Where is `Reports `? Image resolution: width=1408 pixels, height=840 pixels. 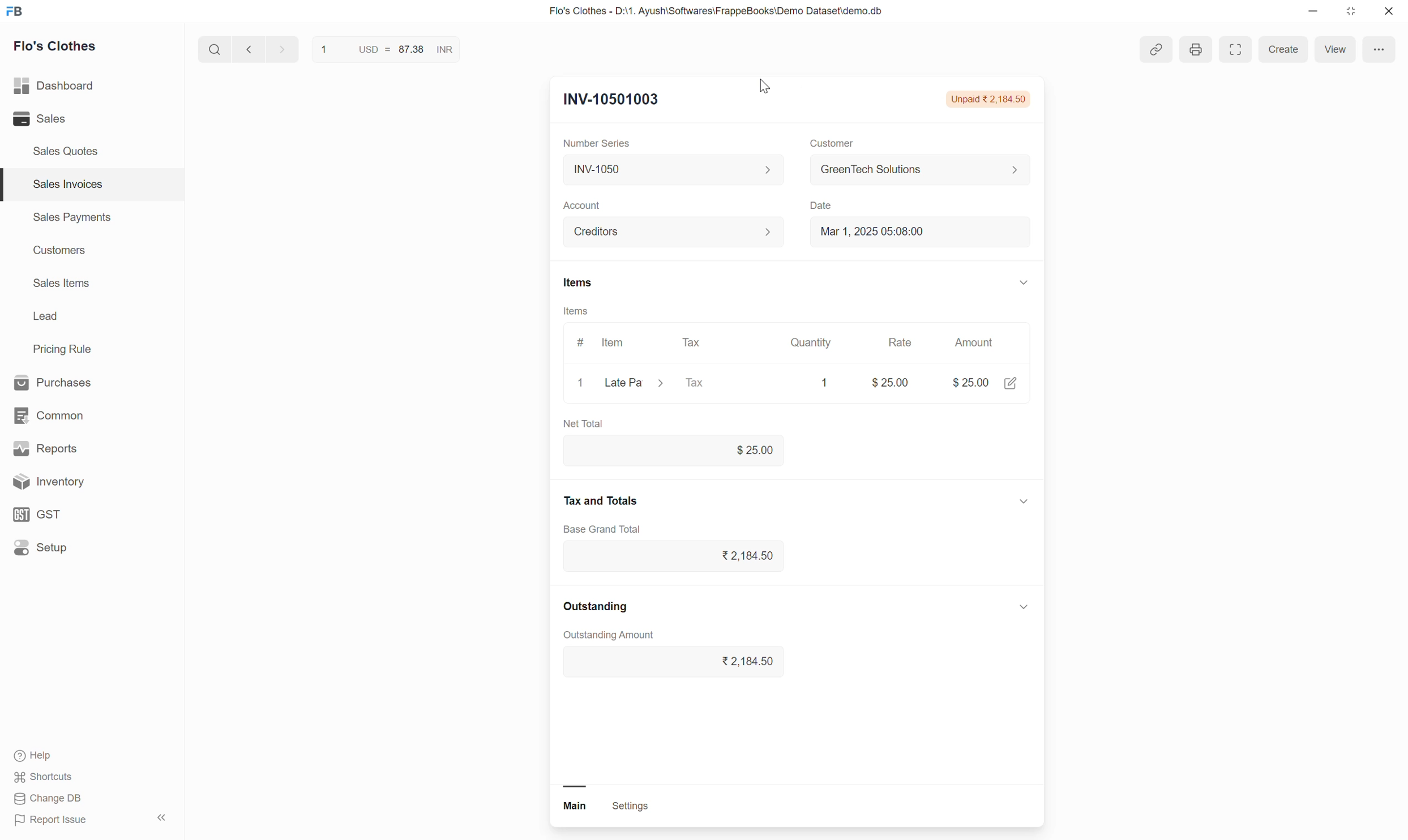 Reports  is located at coordinates (76, 447).